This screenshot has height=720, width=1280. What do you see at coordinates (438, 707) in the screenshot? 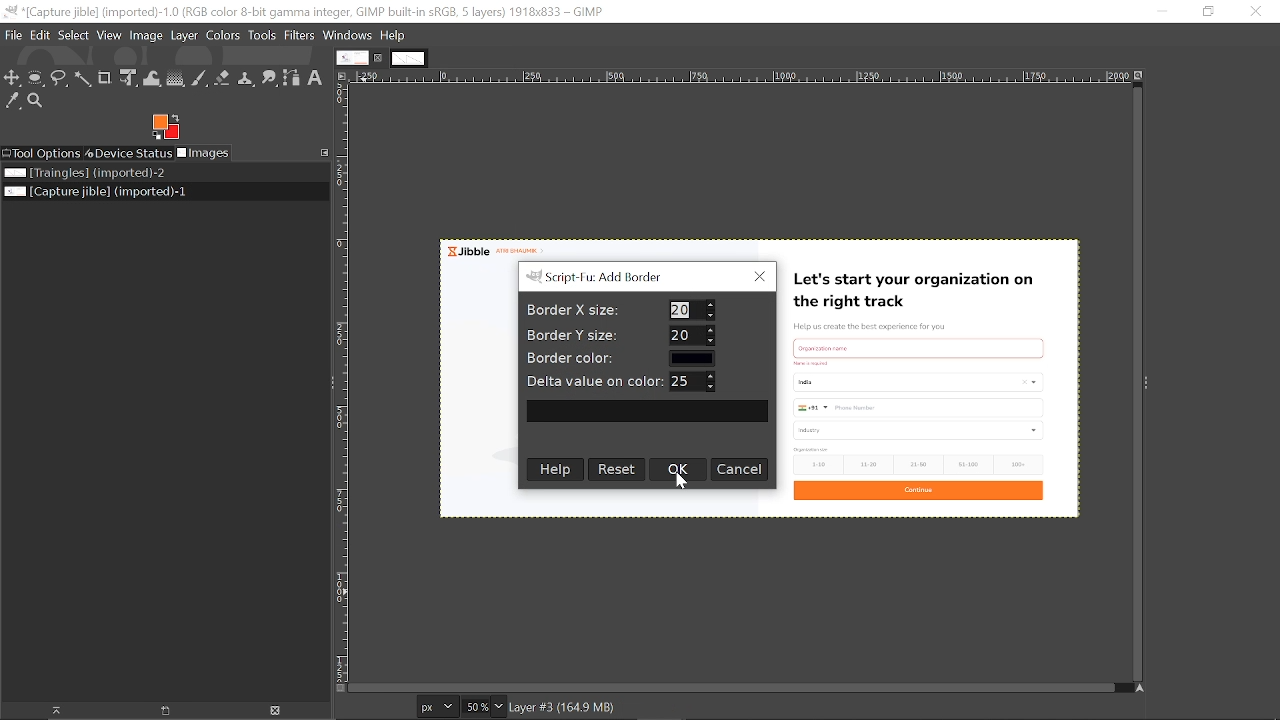
I see `Current image units` at bounding box center [438, 707].